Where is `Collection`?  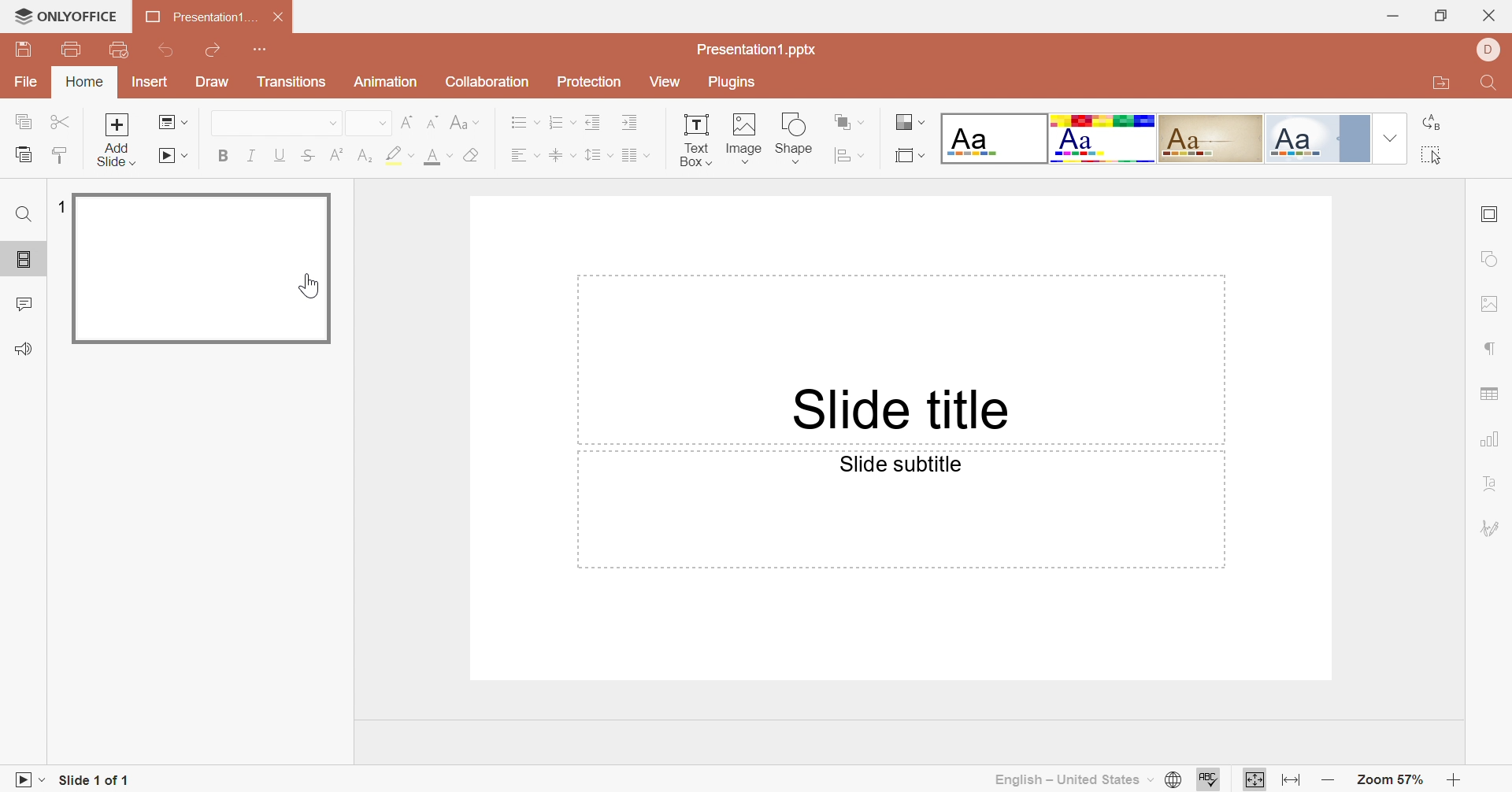
Collection is located at coordinates (486, 81).